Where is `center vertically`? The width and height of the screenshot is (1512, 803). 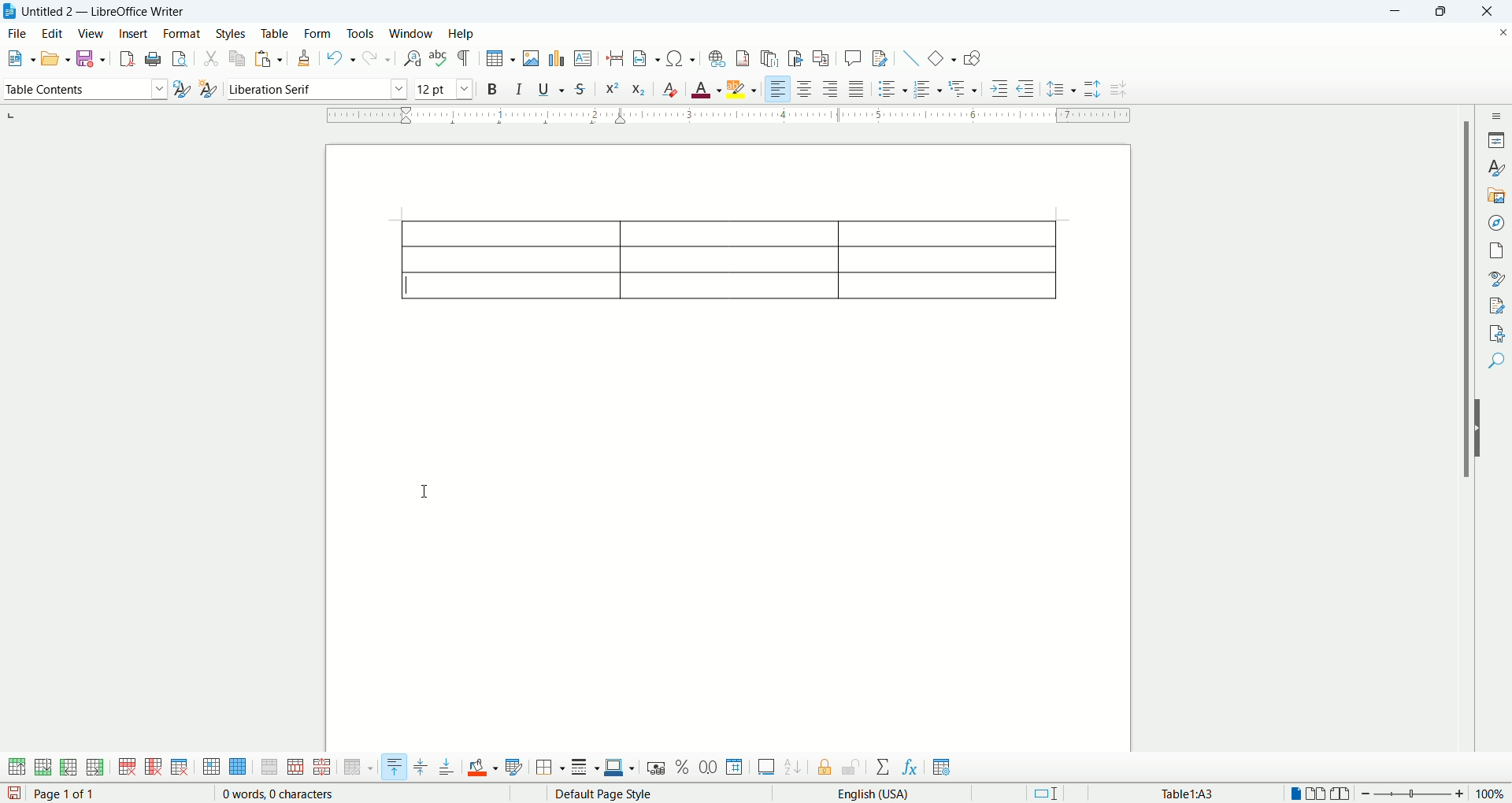
center vertically is located at coordinates (421, 768).